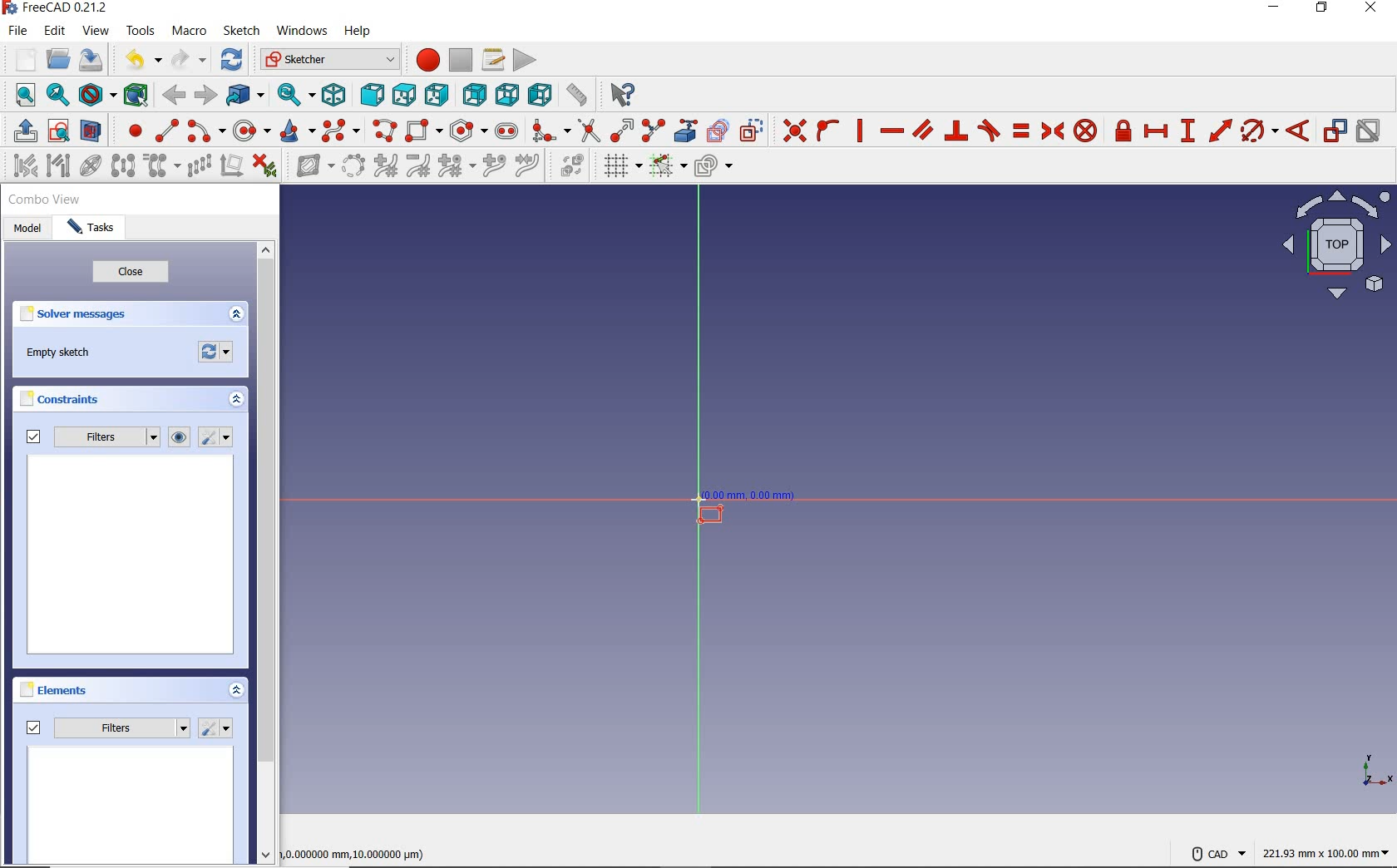  I want to click on settings, so click(219, 437).